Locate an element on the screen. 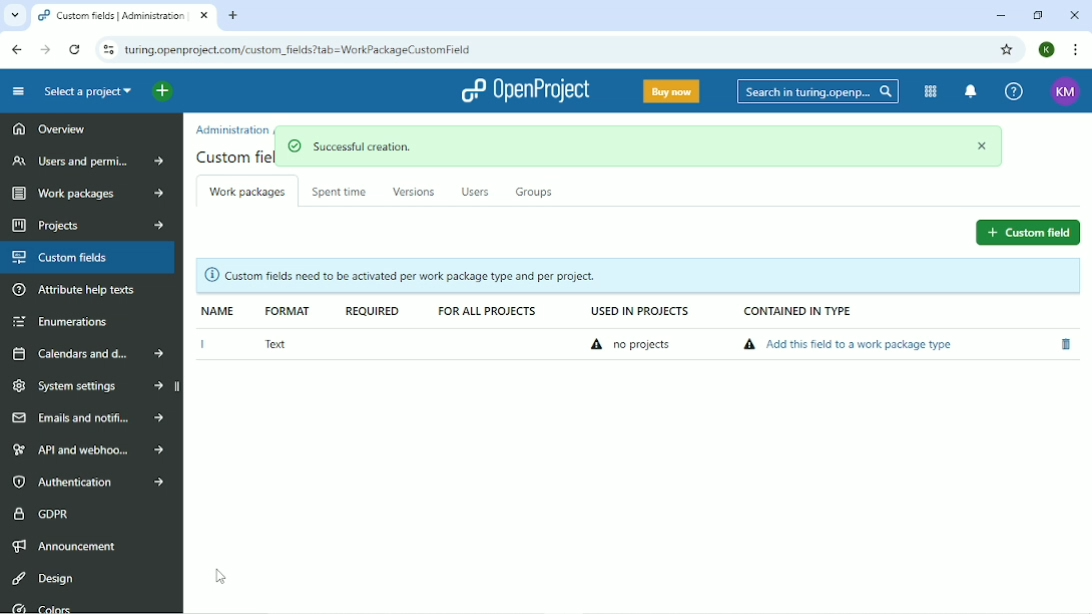 The height and width of the screenshot is (614, 1092). Search tabs is located at coordinates (14, 16).